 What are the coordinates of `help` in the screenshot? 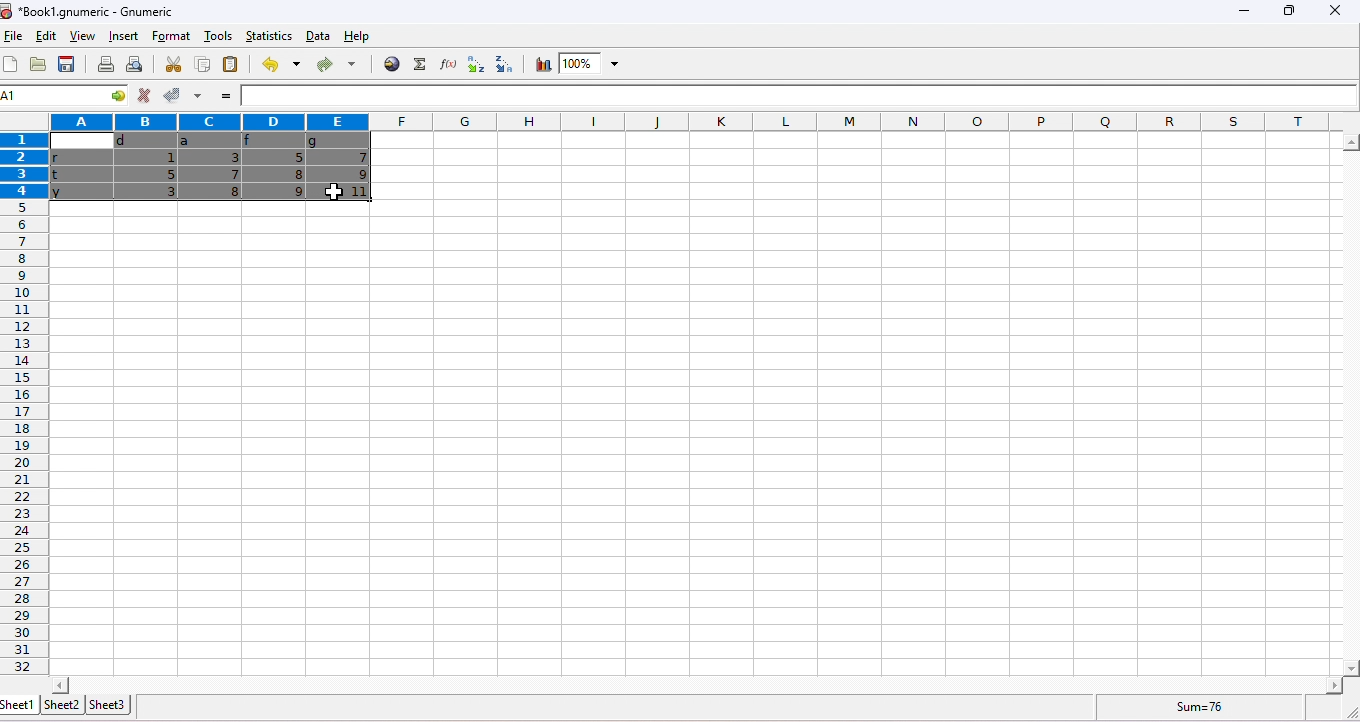 It's located at (365, 38).